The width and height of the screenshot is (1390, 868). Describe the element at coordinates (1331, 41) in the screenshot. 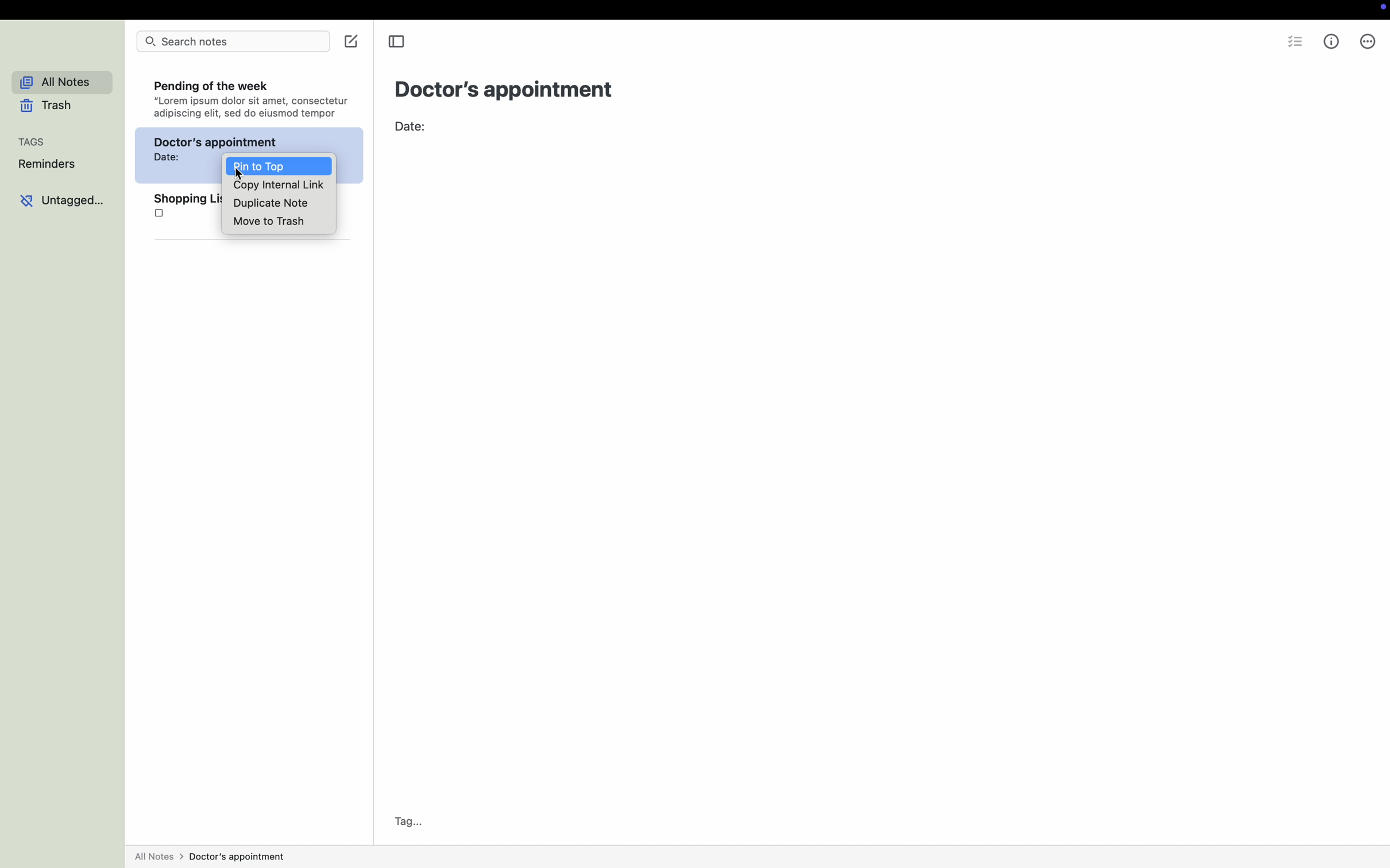

I see `metrics` at that location.